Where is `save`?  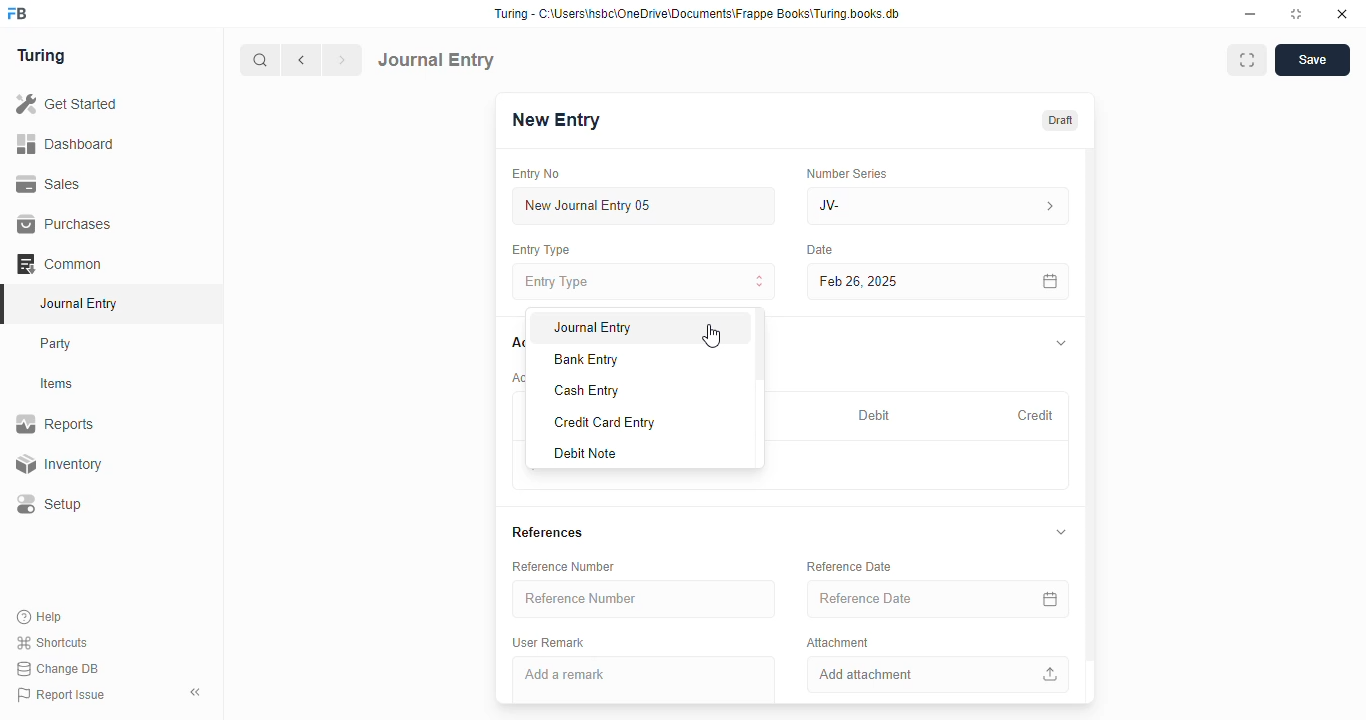 save is located at coordinates (1312, 60).